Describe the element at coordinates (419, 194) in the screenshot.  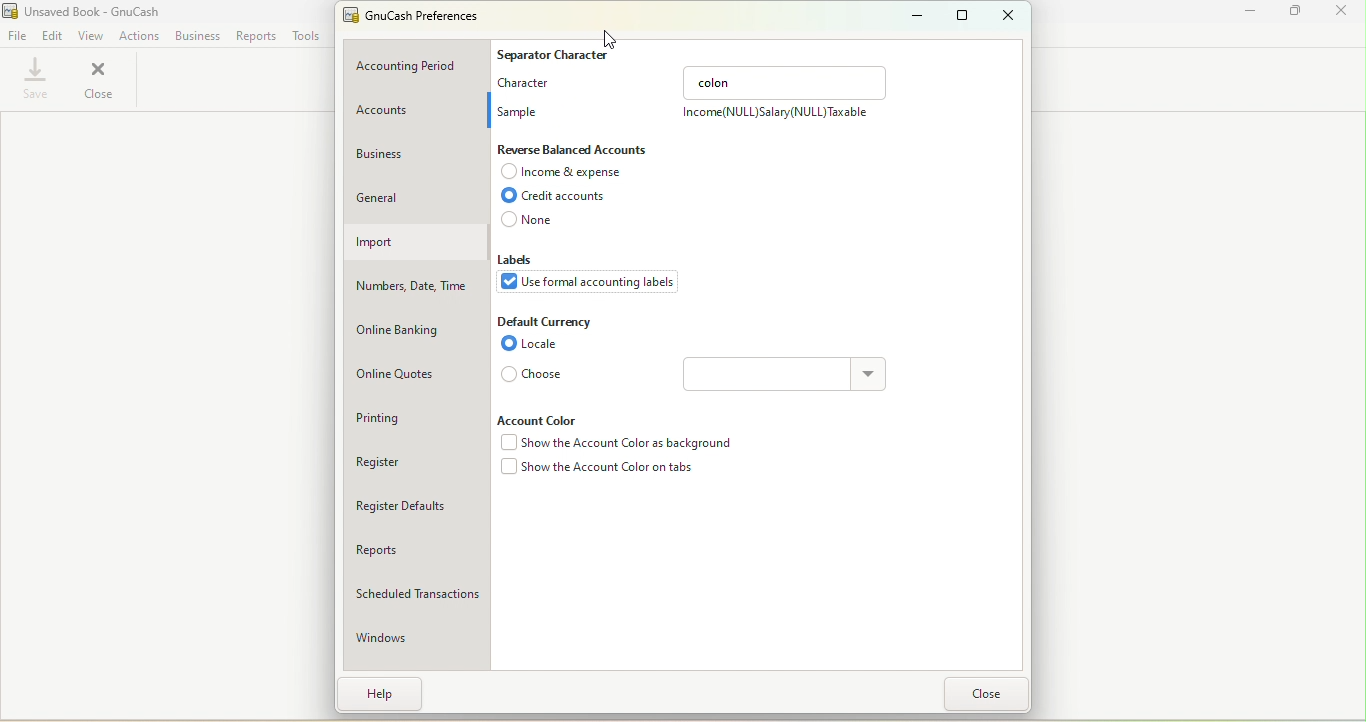
I see `General` at that location.